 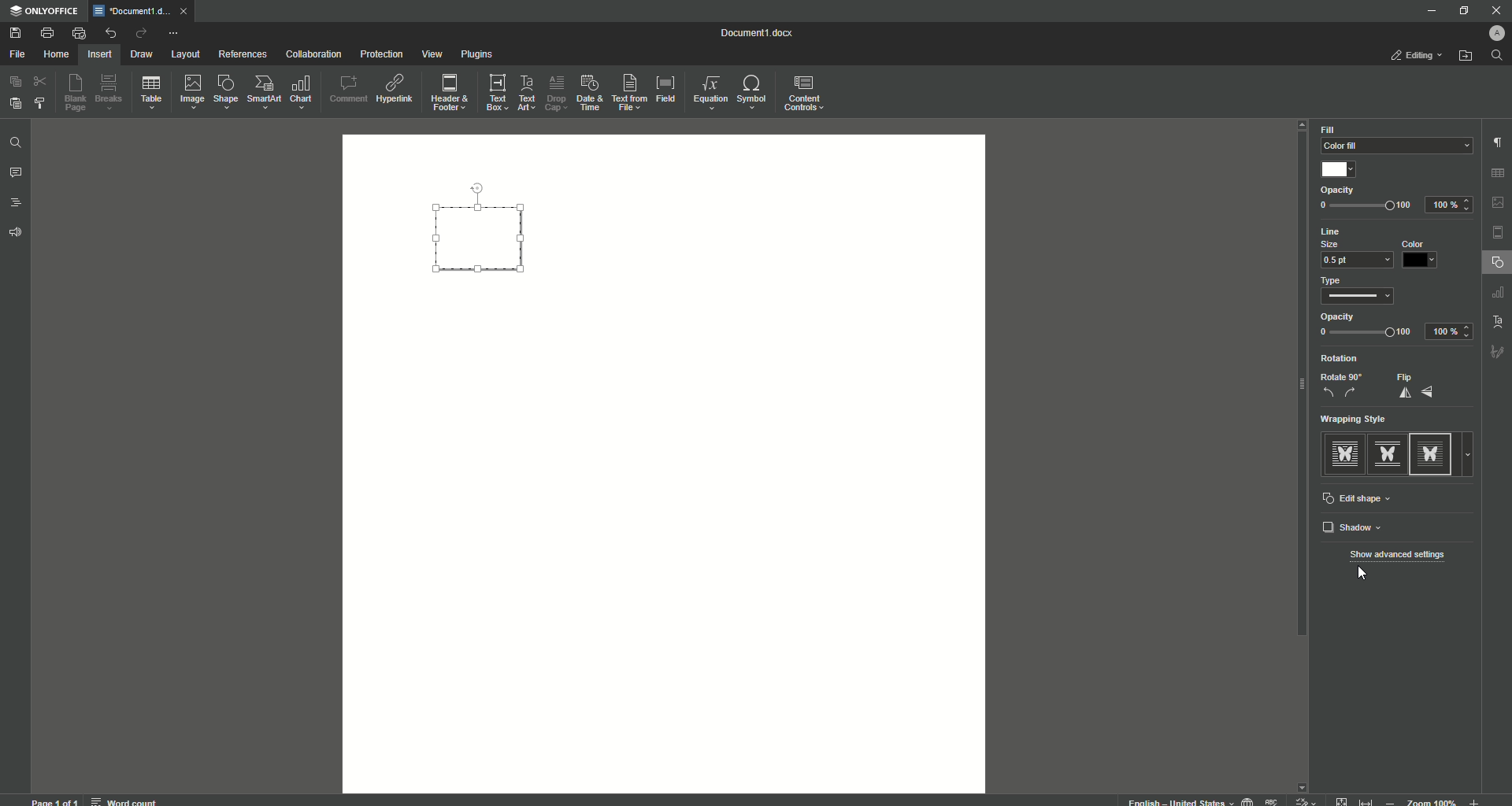 What do you see at coordinates (172, 35) in the screenshot?
I see `More Actions` at bounding box center [172, 35].